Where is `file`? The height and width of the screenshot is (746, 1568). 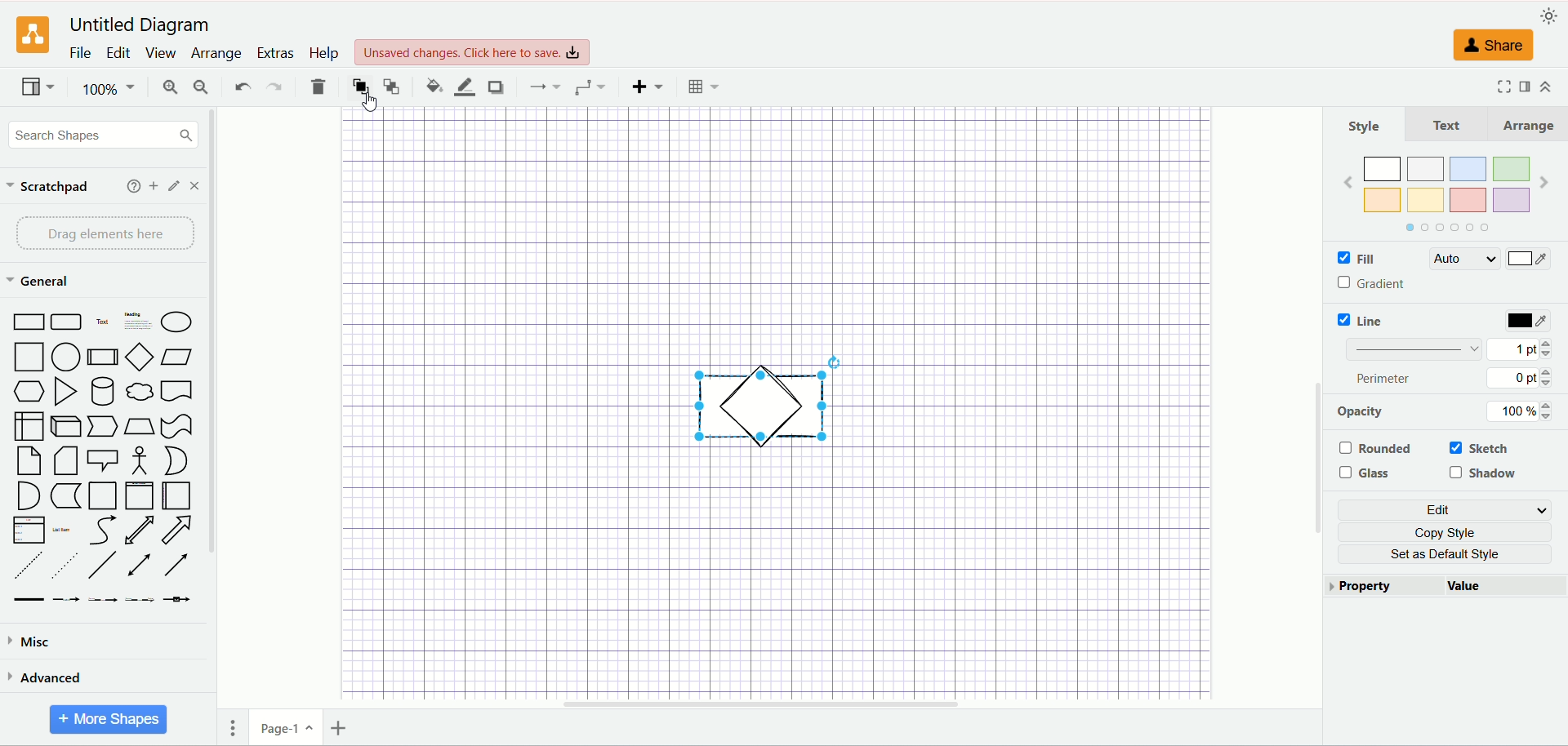
file is located at coordinates (78, 53).